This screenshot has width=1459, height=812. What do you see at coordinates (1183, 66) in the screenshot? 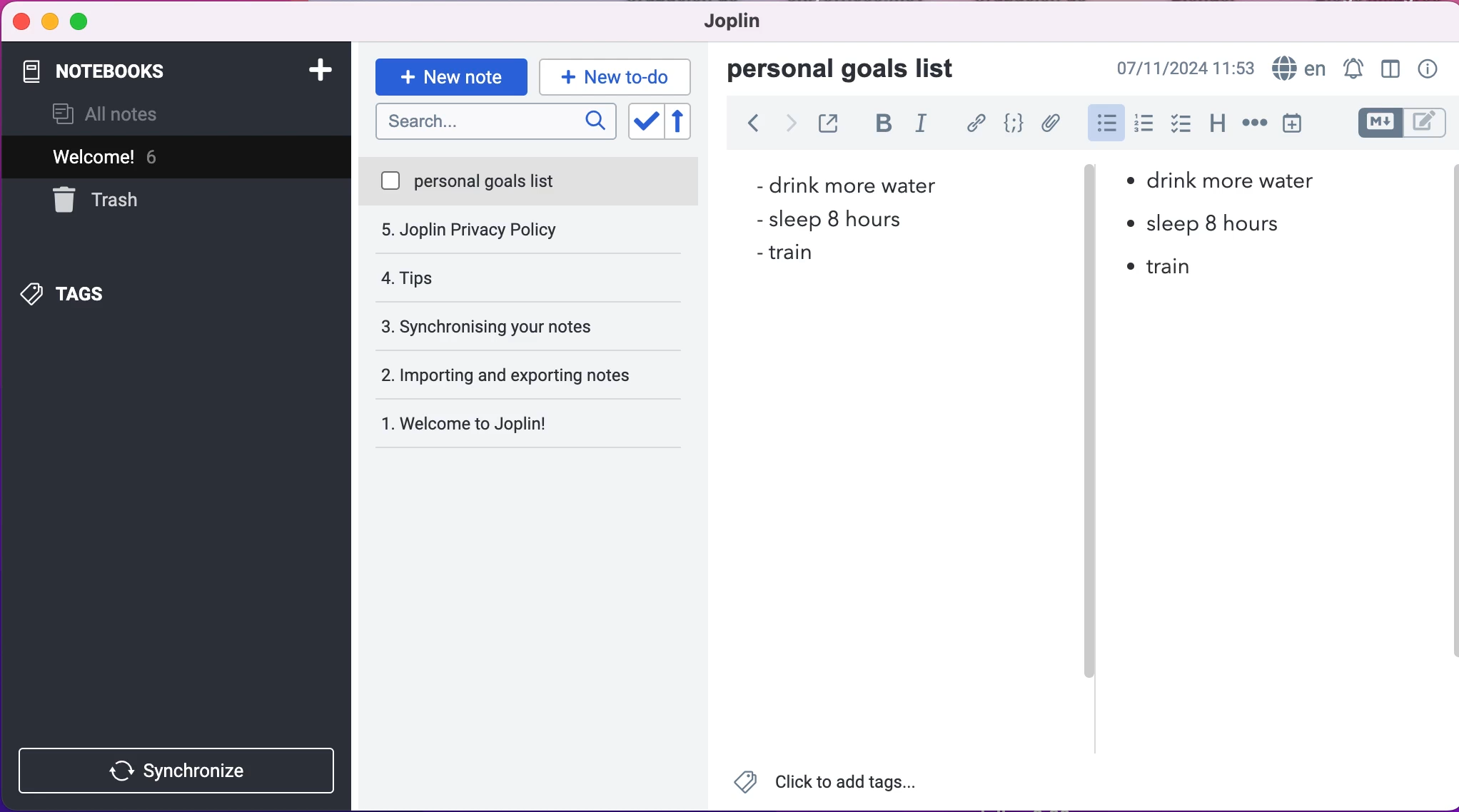
I see `07/11/2024 09:03` at bounding box center [1183, 66].